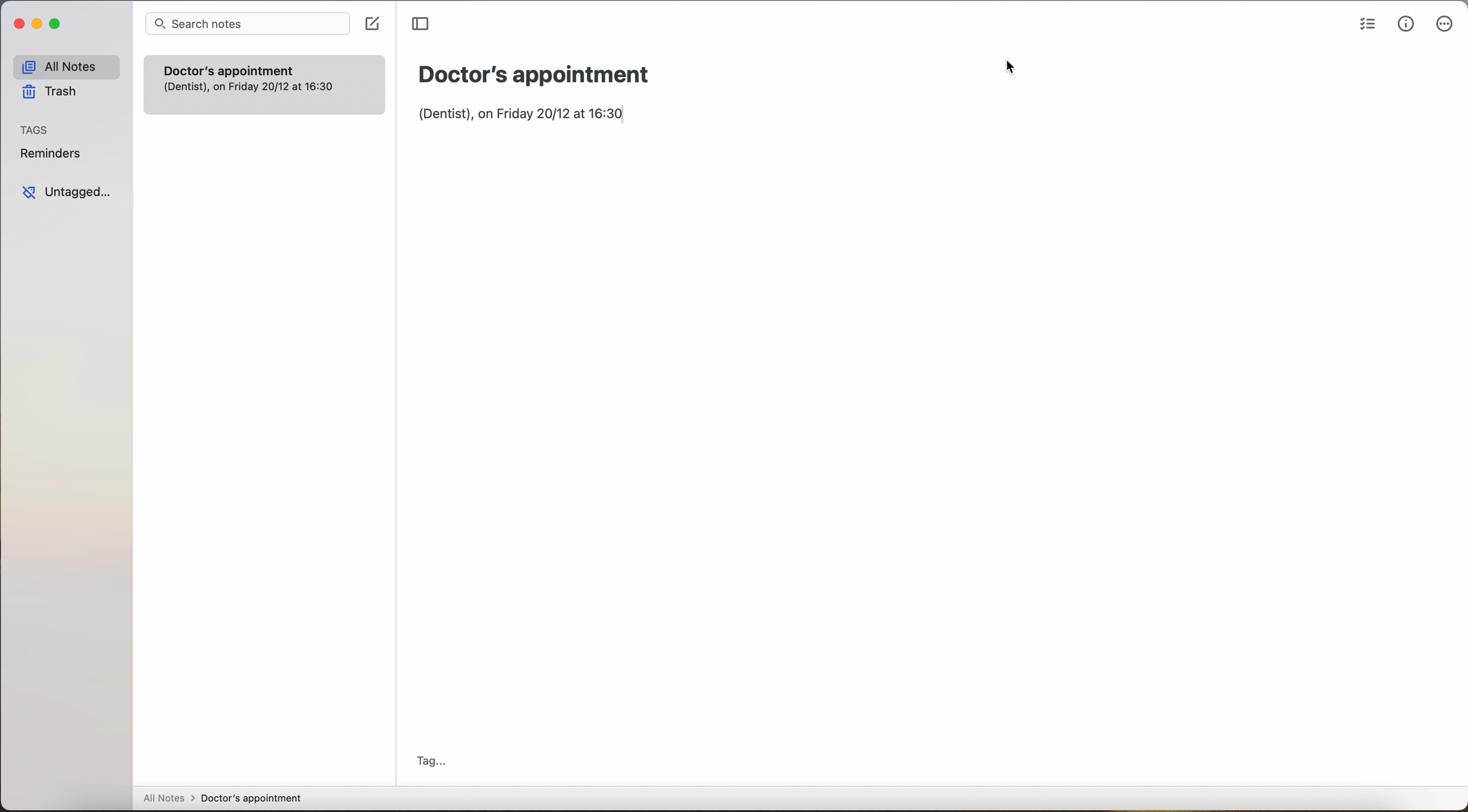 The width and height of the screenshot is (1468, 812). What do you see at coordinates (1445, 24) in the screenshot?
I see `more options` at bounding box center [1445, 24].